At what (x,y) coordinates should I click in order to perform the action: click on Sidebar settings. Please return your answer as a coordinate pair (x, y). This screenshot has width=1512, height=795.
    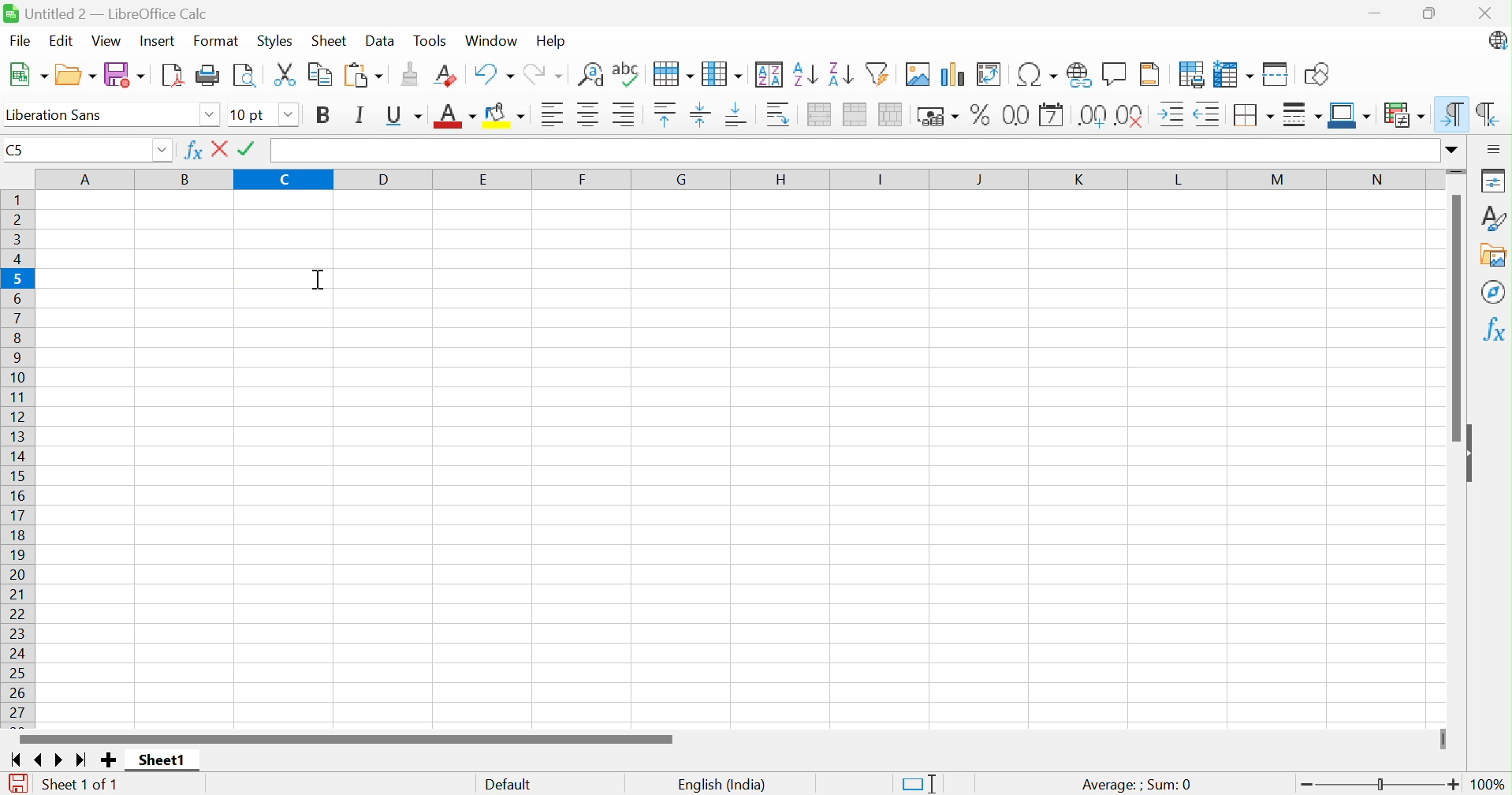
    Looking at the image, I should click on (1495, 150).